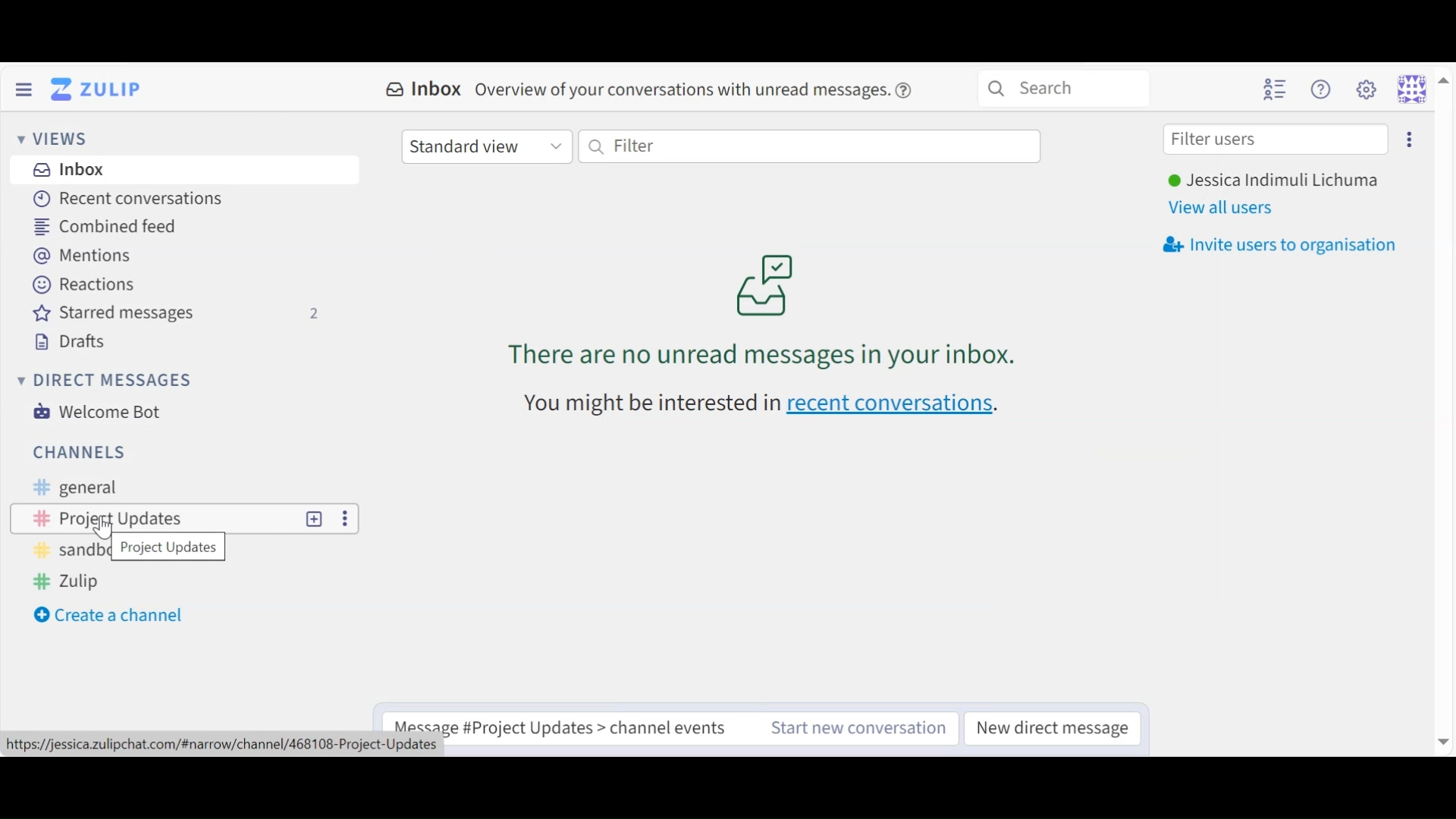 This screenshot has height=819, width=1456. What do you see at coordinates (766, 309) in the screenshot?
I see `no unread messages` at bounding box center [766, 309].